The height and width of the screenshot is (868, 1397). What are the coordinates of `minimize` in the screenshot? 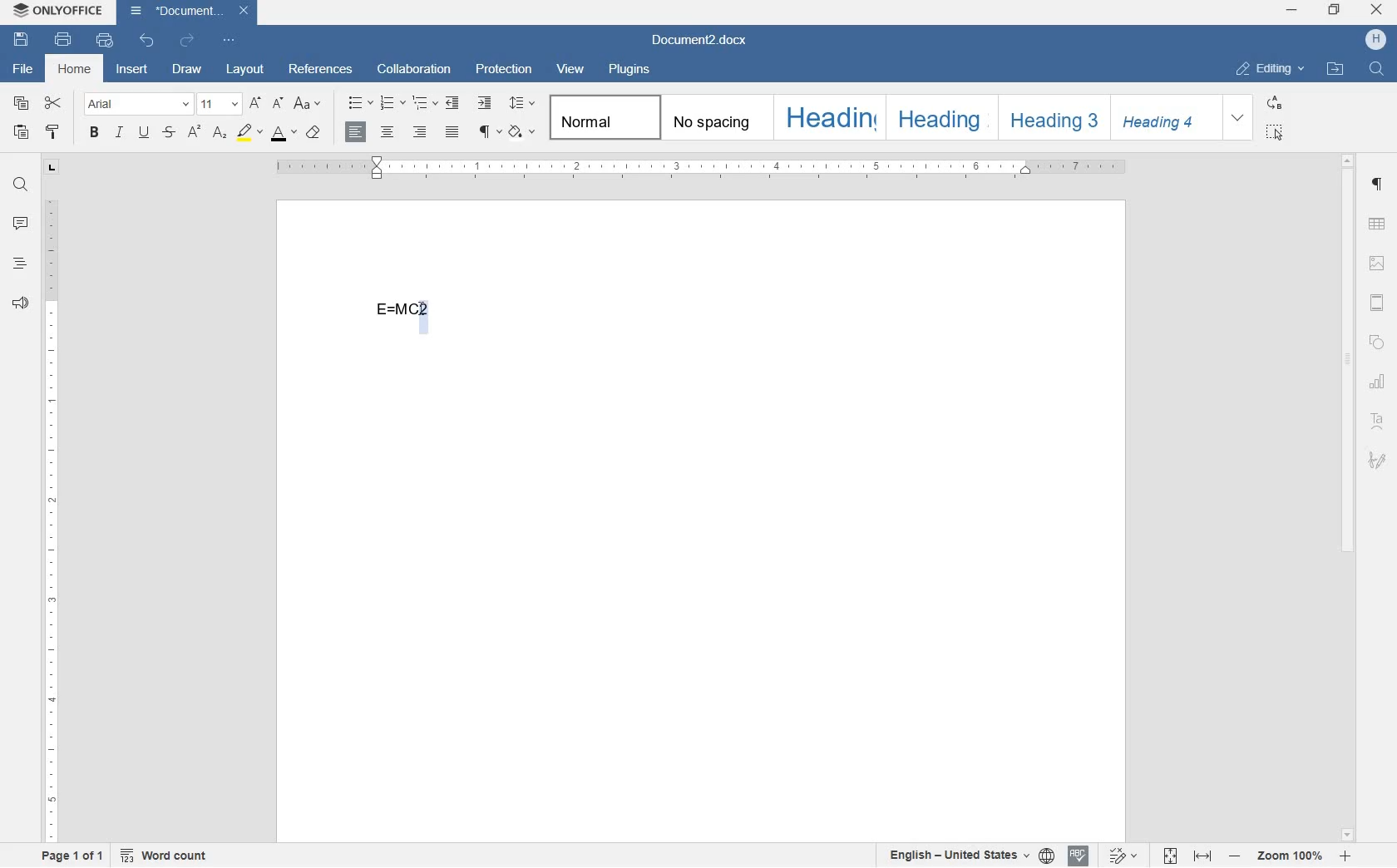 It's located at (1292, 10).